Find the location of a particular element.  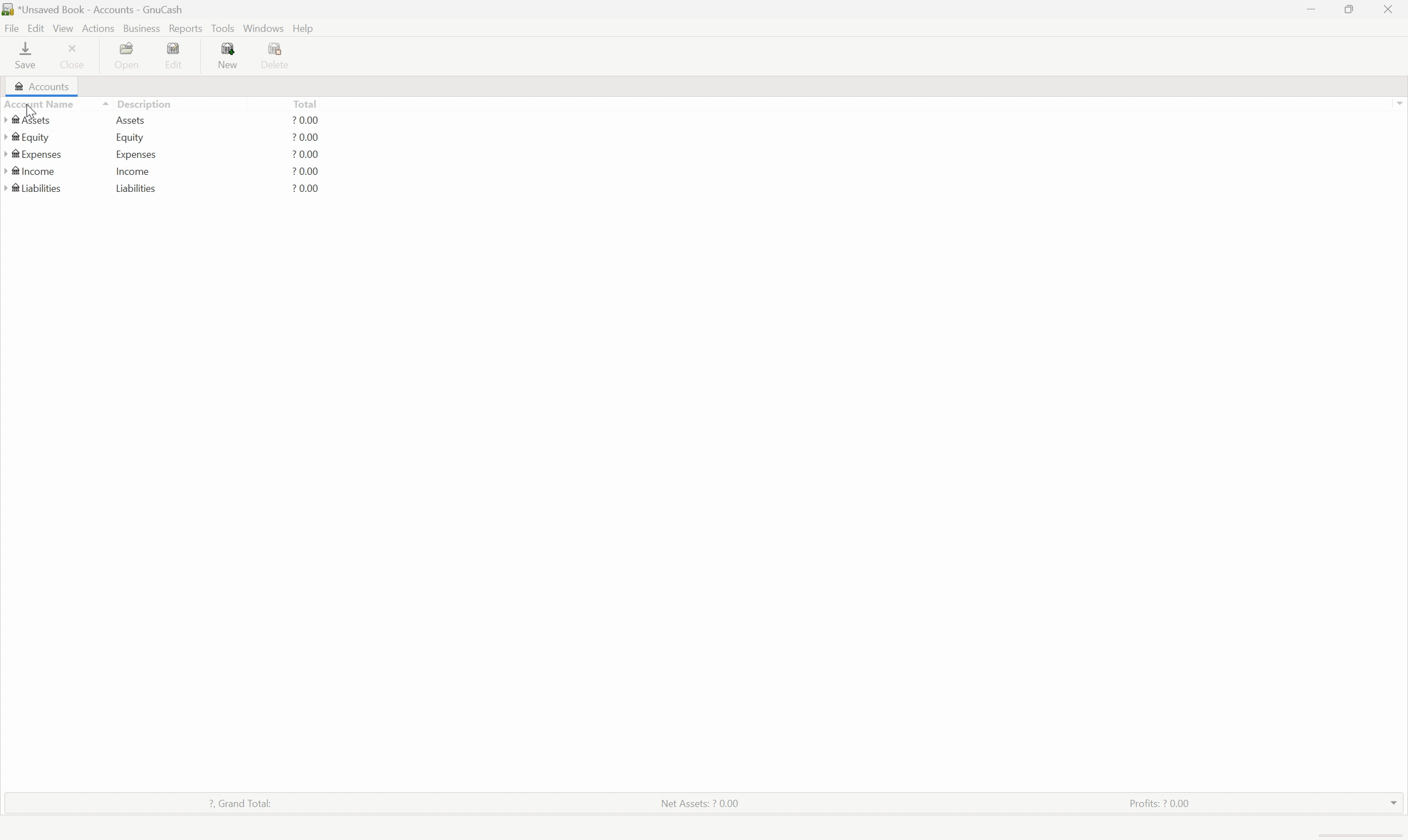

Total is located at coordinates (305, 103).